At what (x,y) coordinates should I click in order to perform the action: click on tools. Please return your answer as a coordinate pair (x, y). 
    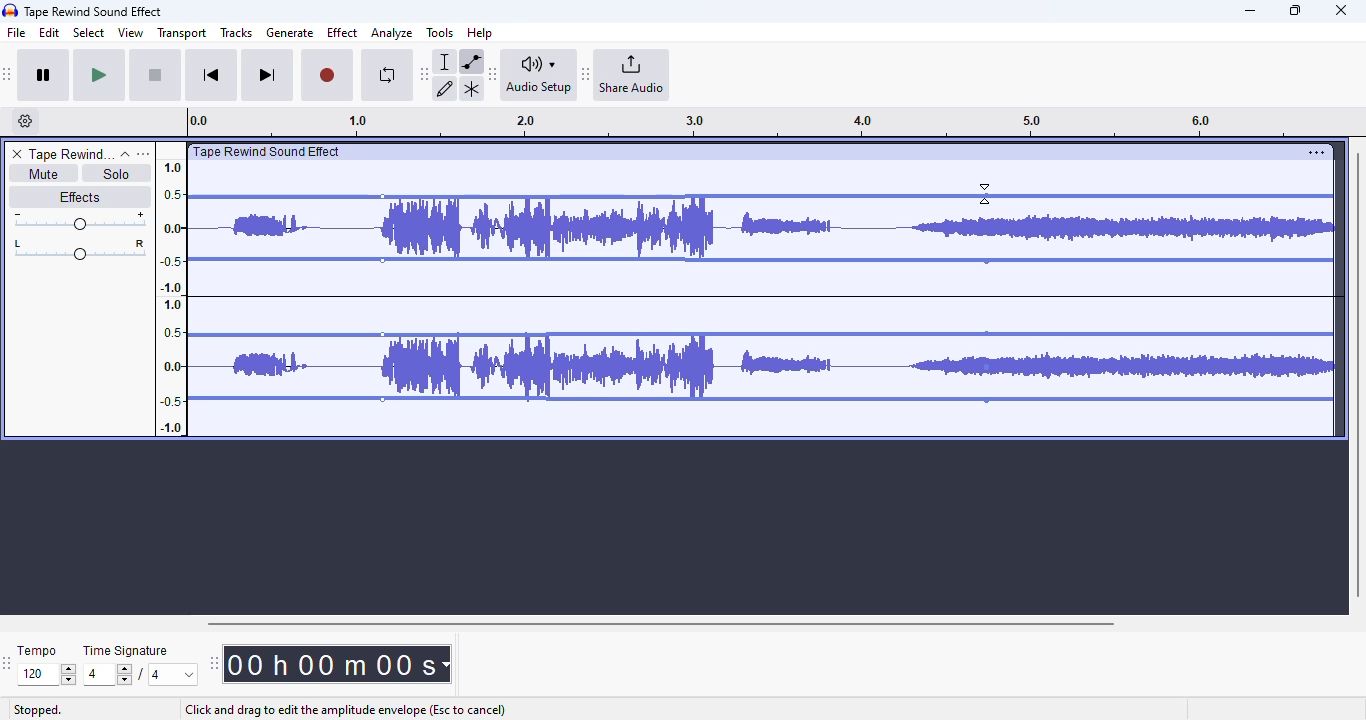
    Looking at the image, I should click on (440, 32).